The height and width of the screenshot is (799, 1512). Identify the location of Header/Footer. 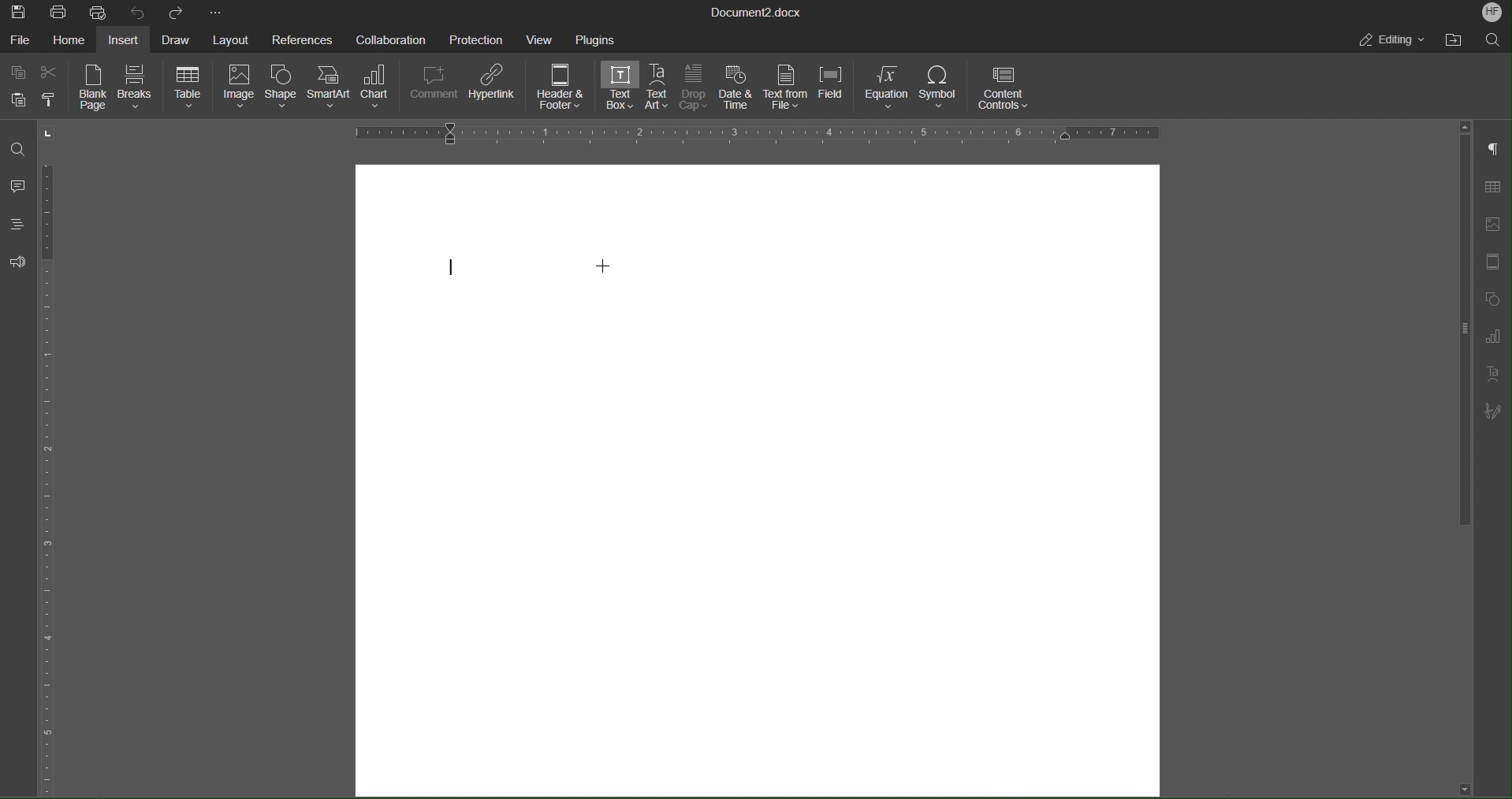
(1490, 262).